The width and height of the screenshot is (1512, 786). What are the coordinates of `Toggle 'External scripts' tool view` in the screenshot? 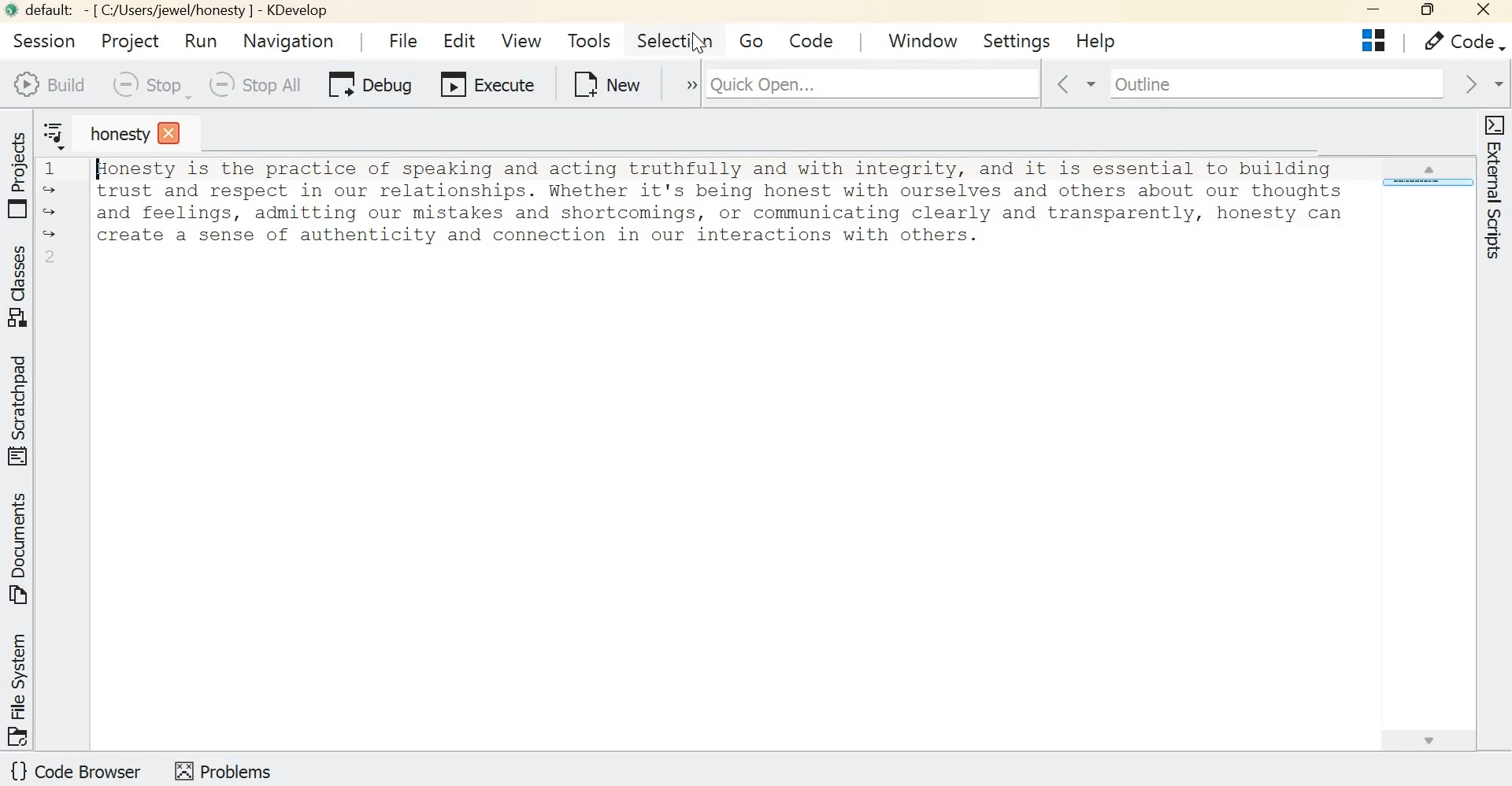 It's located at (1493, 191).